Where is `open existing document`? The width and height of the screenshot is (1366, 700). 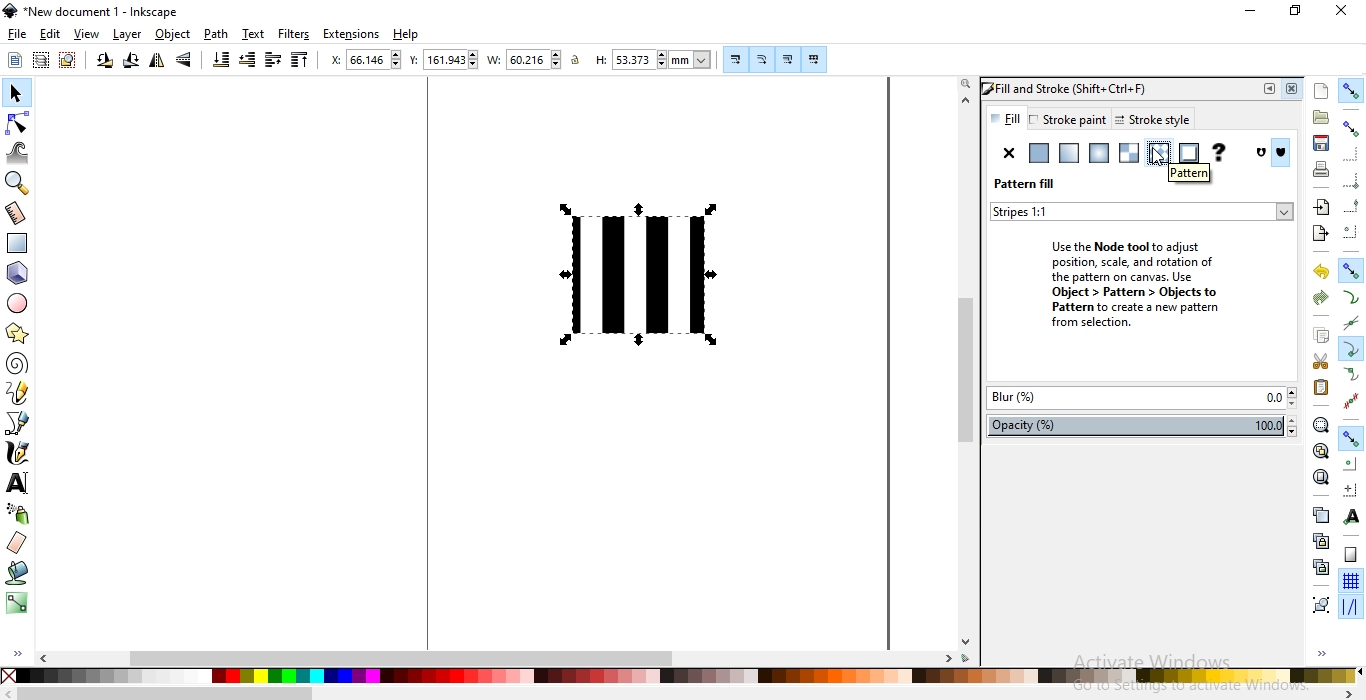 open existing document is located at coordinates (1321, 117).